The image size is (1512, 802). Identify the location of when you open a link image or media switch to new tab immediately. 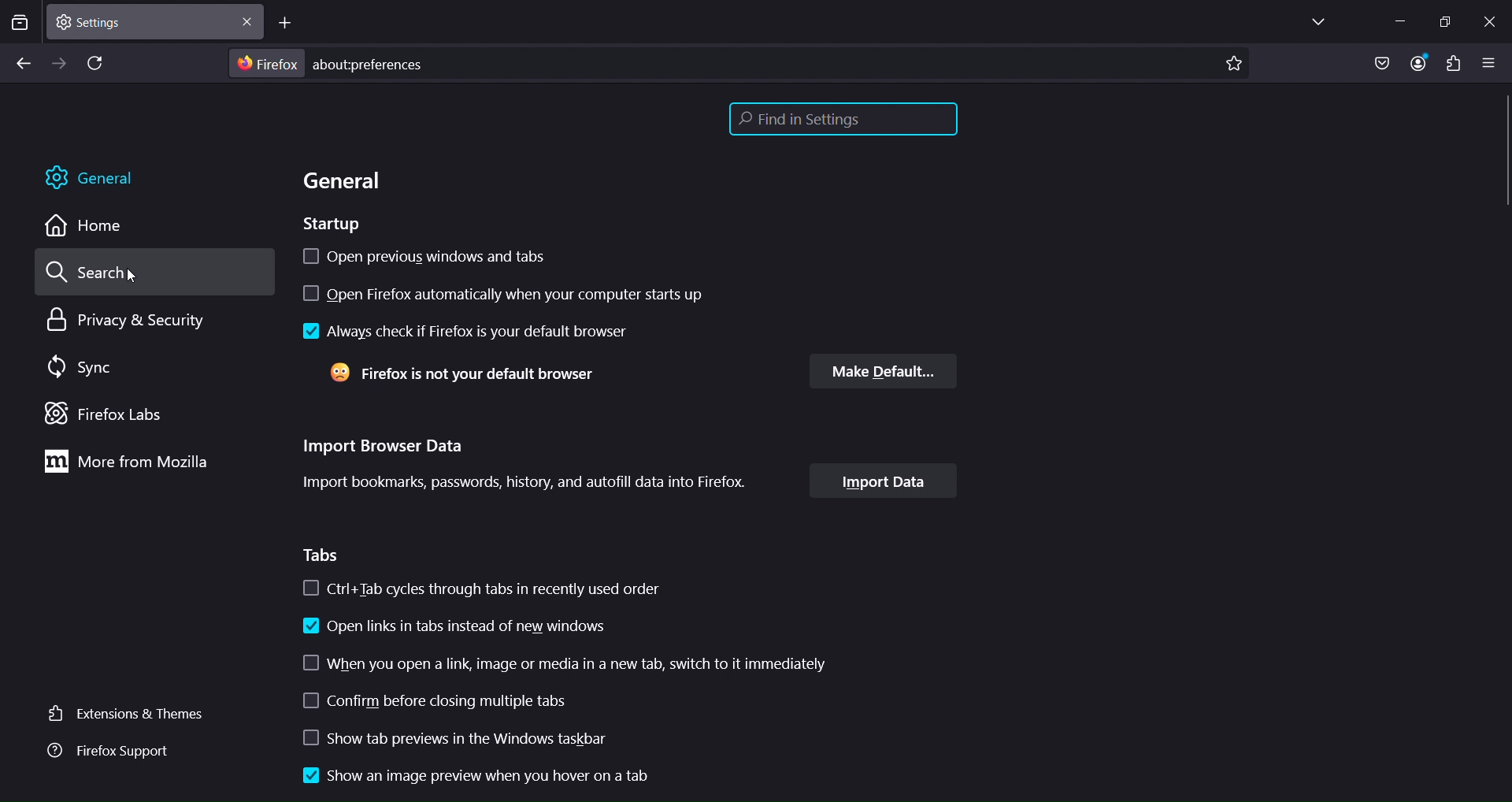
(584, 664).